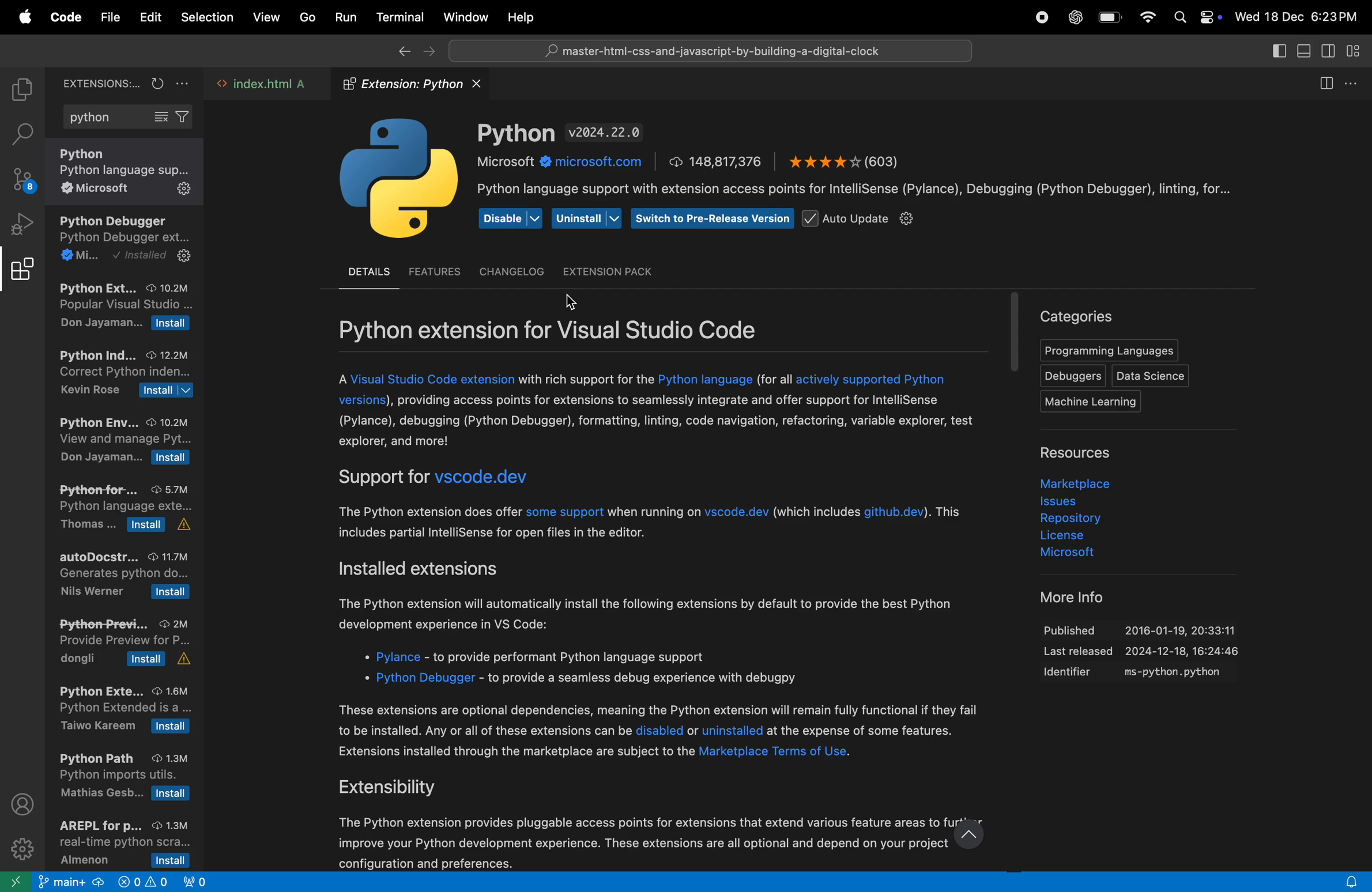 This screenshot has height=892, width=1372. I want to click on python extensions, so click(123, 309).